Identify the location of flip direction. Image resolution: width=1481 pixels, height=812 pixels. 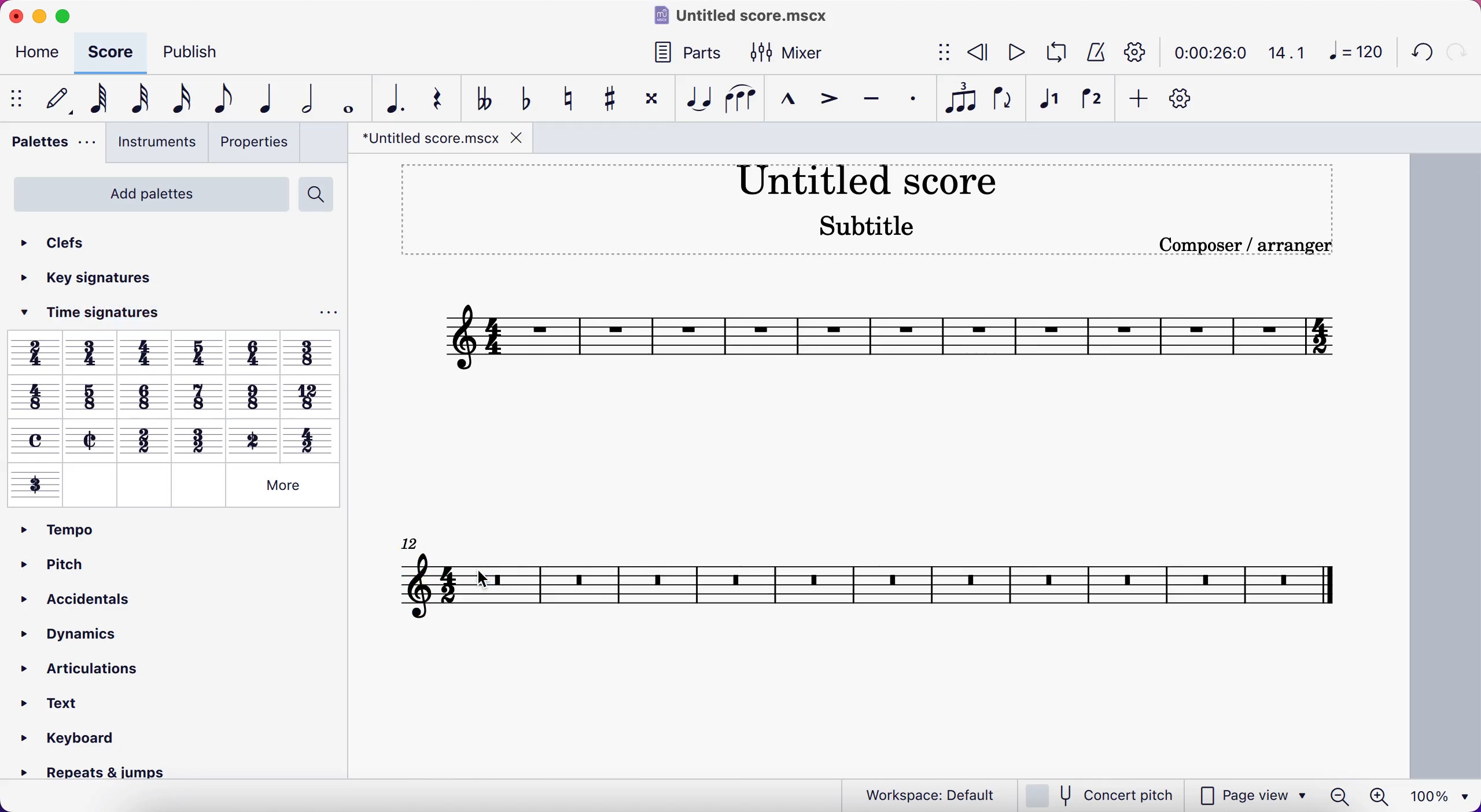
(1001, 98).